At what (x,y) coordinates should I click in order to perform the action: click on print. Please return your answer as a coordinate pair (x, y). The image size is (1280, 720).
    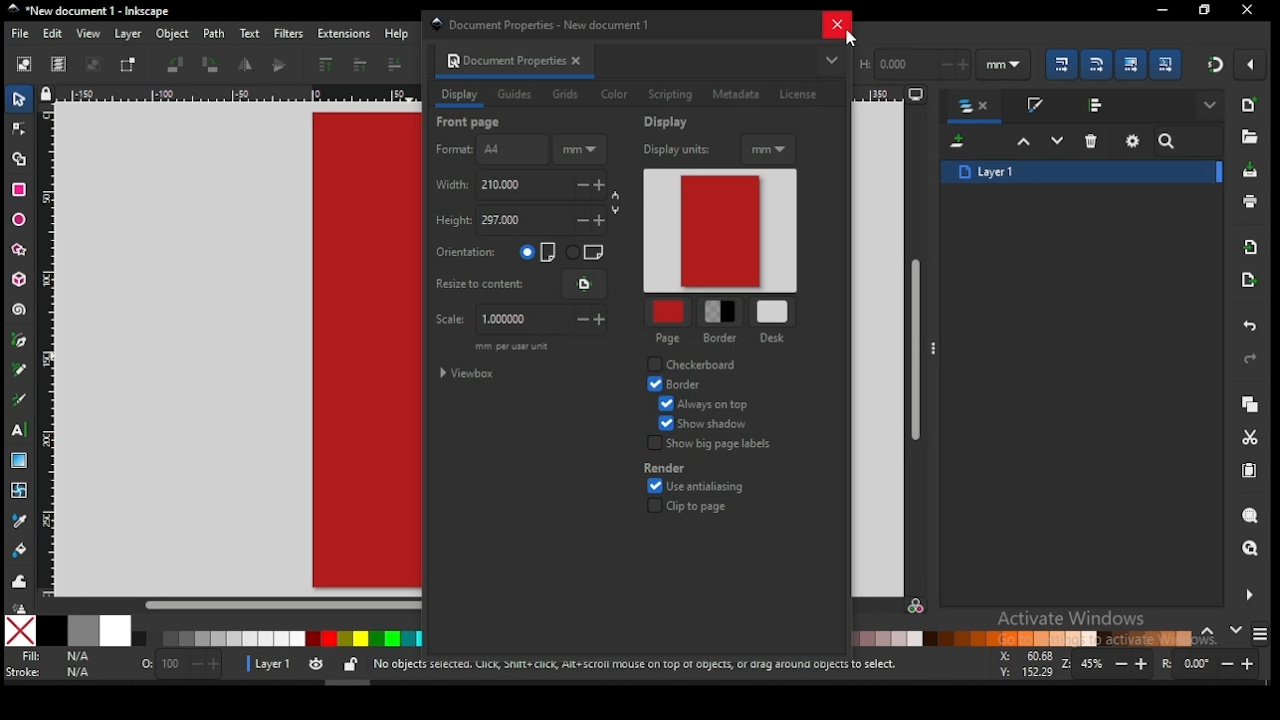
    Looking at the image, I should click on (1250, 202).